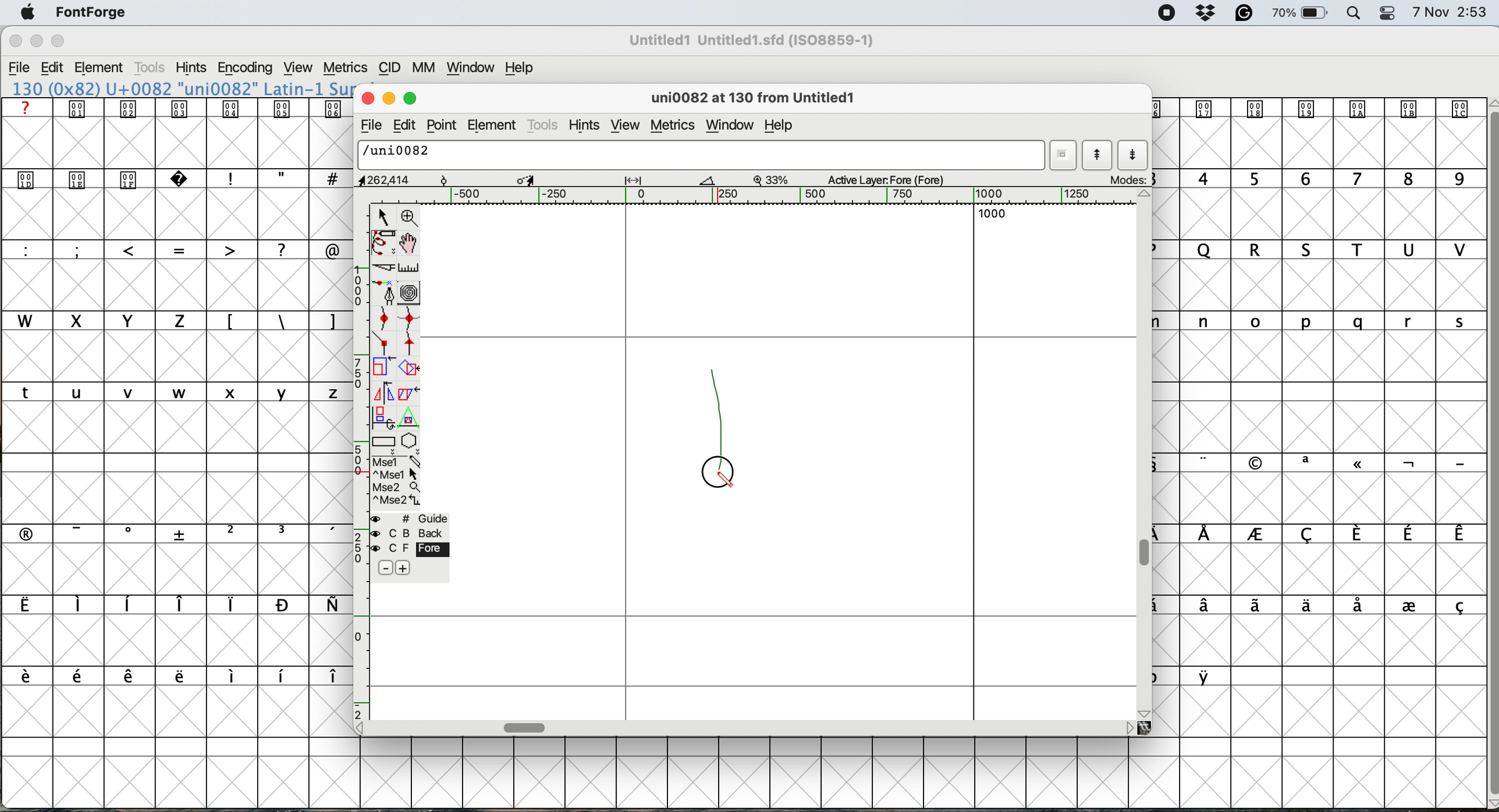 The width and height of the screenshot is (1499, 812). Describe the element at coordinates (1316, 109) in the screenshot. I see `special icons` at that location.